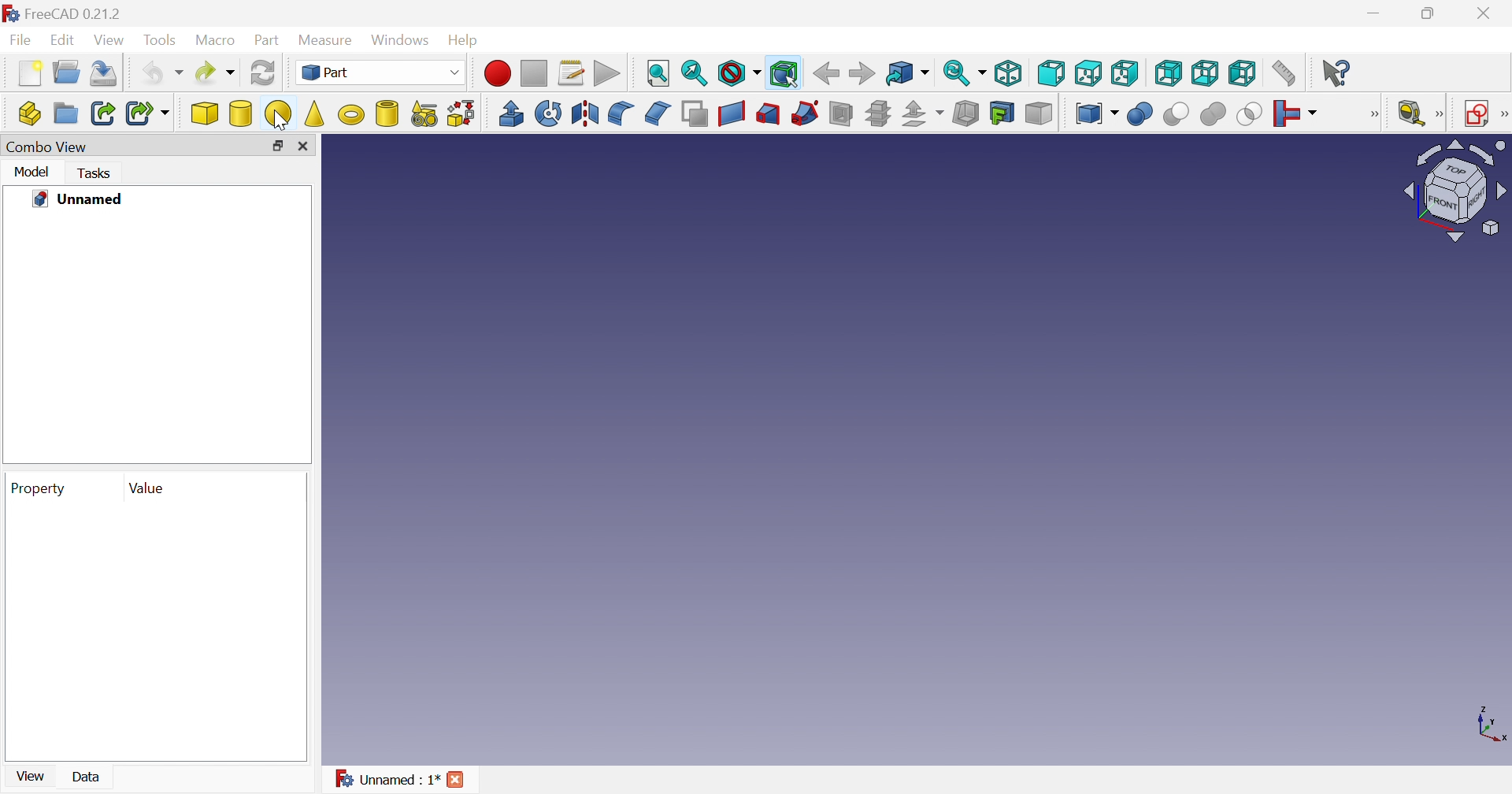  Describe the element at coordinates (1053, 73) in the screenshot. I see `Front` at that location.